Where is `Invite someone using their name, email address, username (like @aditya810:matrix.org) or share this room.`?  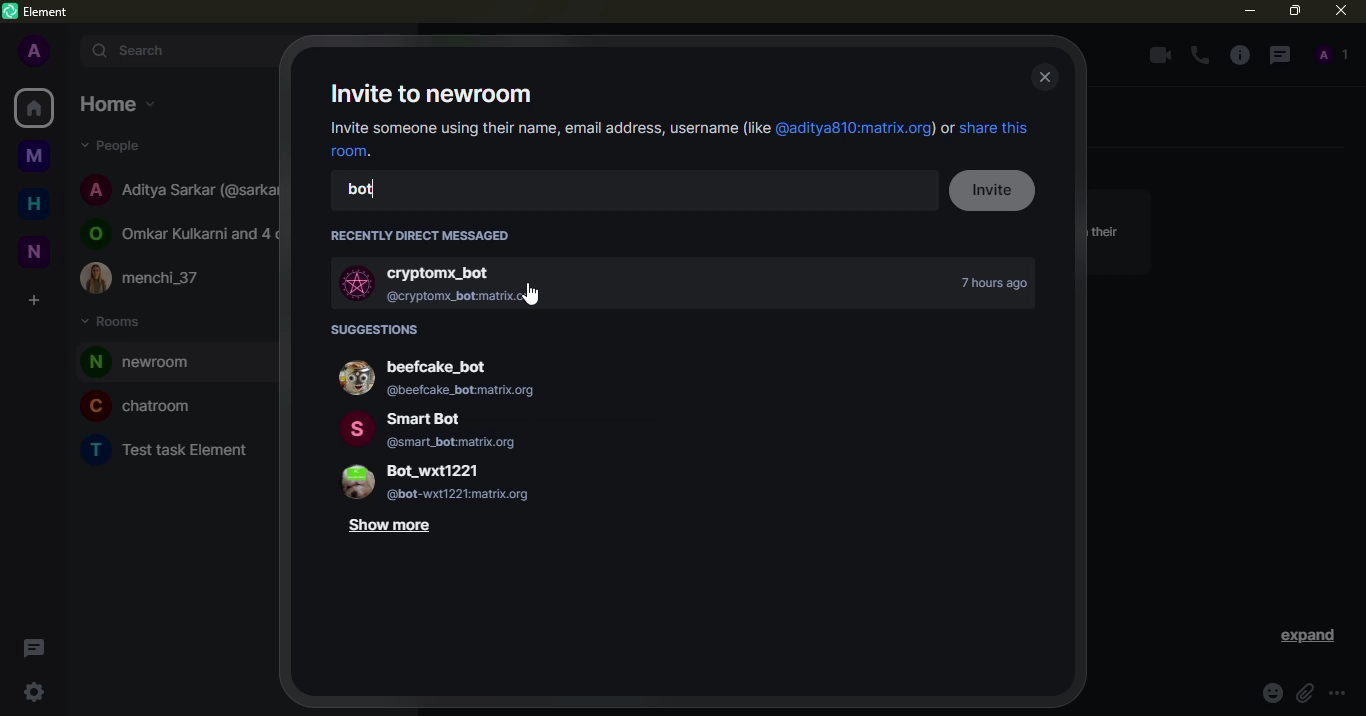
Invite someone using their name, email address, username (like @aditya810:matrix.org) or share this room. is located at coordinates (684, 137).